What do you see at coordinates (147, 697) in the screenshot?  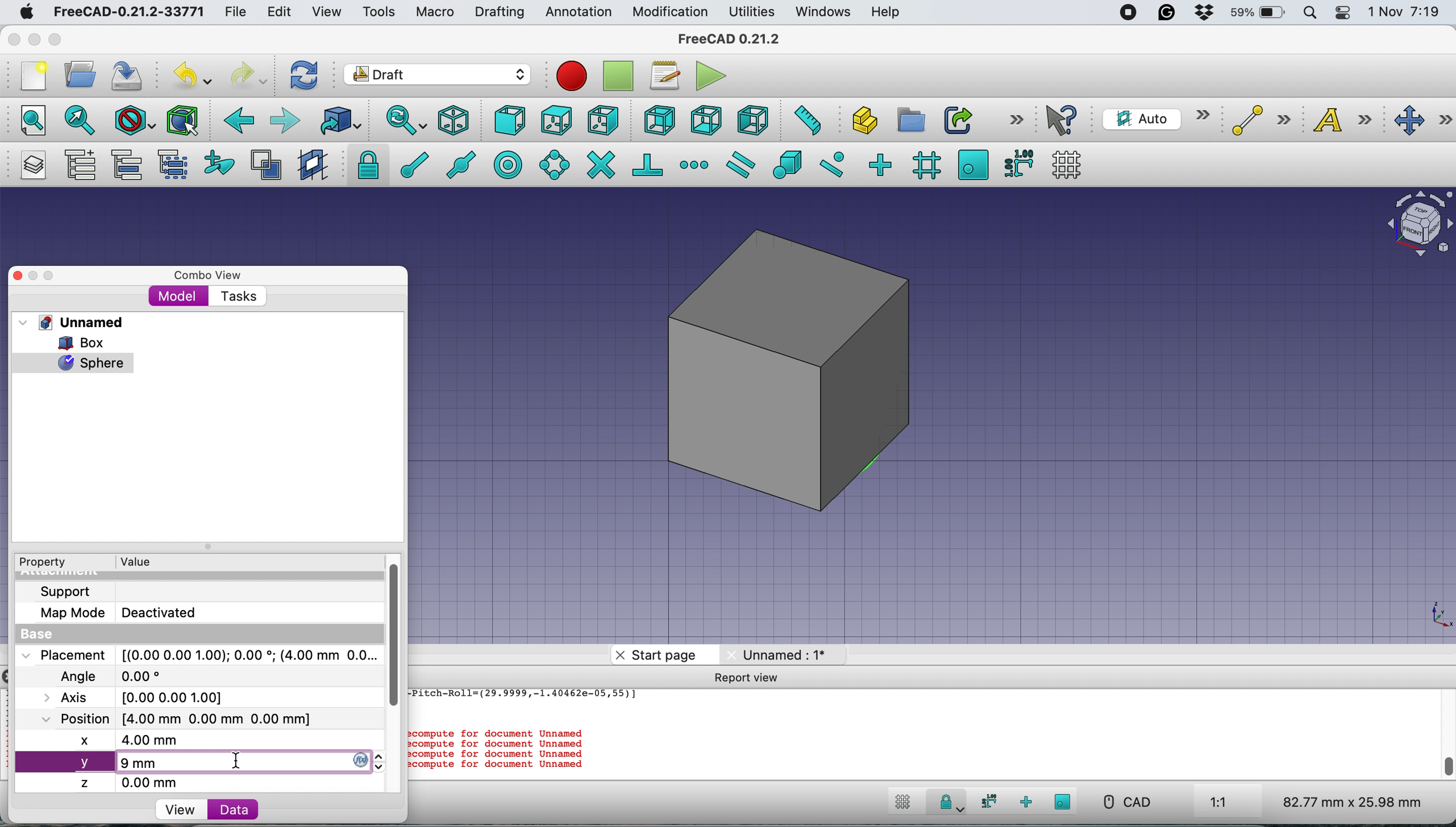 I see `axis` at bounding box center [147, 697].